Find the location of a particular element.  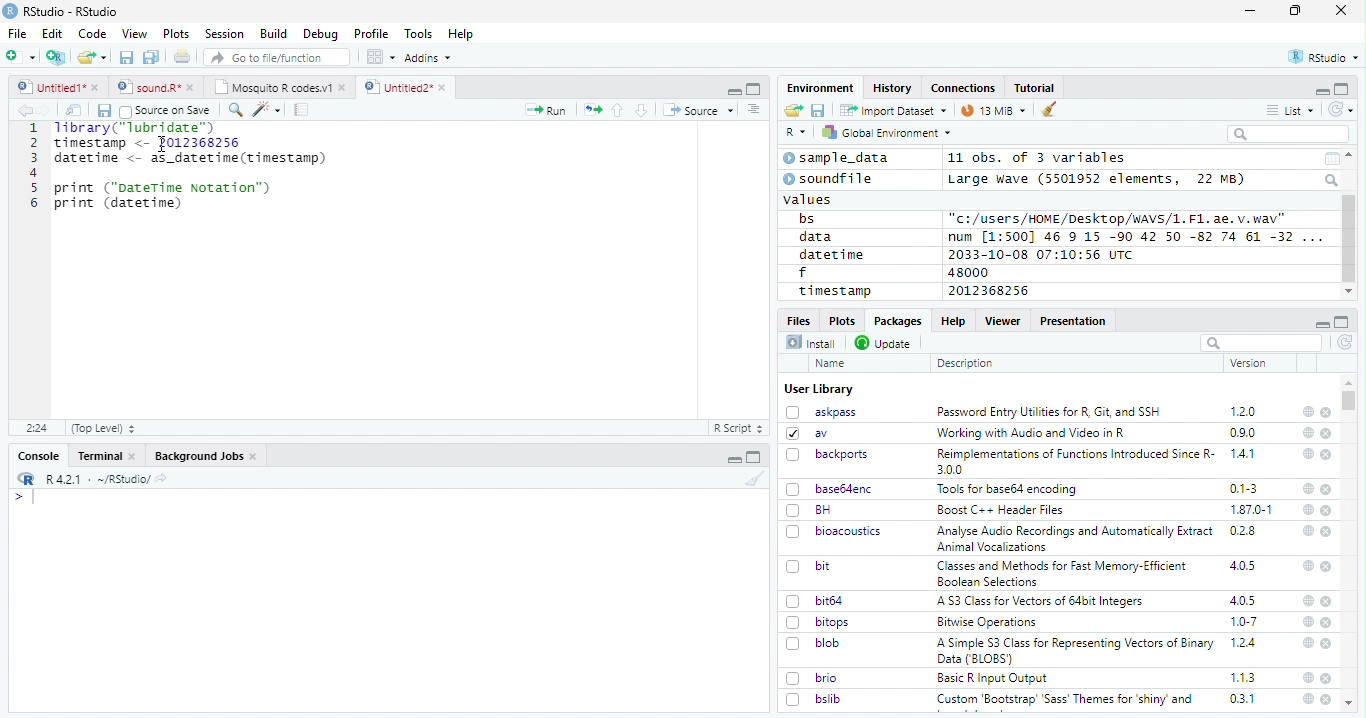

R 4.2.1 - ~/RStudio/ is located at coordinates (95, 479).